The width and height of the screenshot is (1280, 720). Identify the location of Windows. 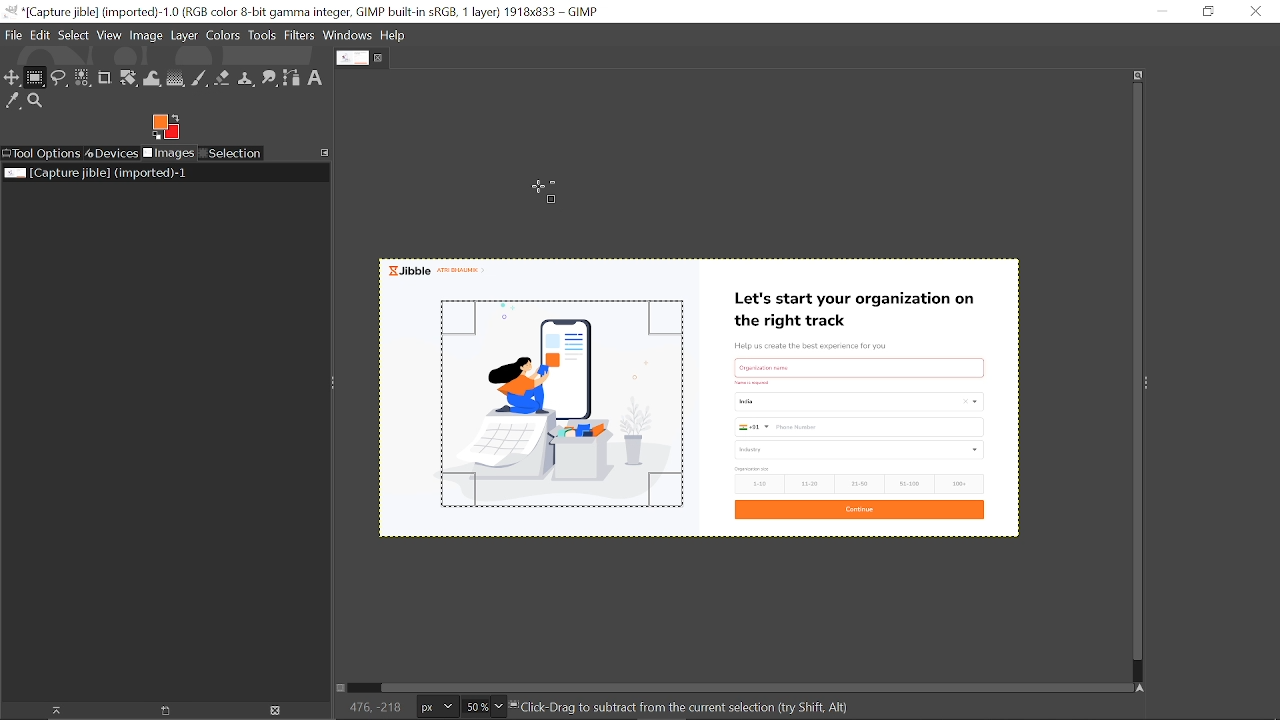
(347, 36).